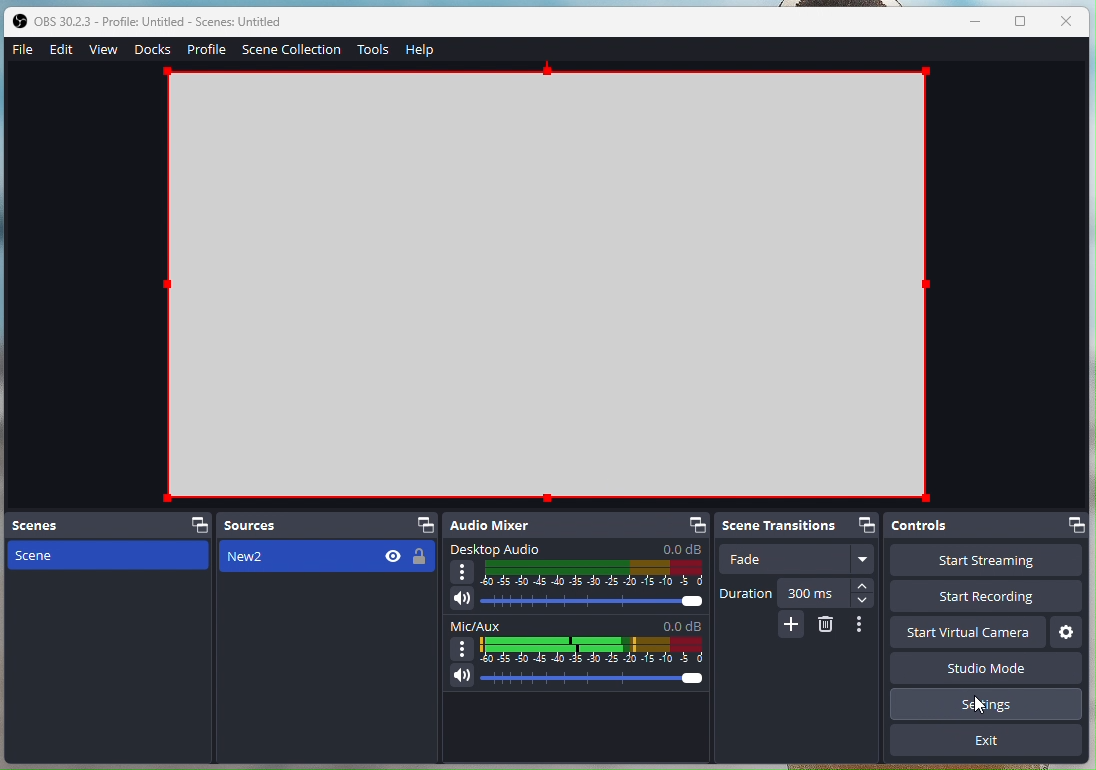 The image size is (1096, 770). I want to click on 0.0 dB, so click(683, 624).